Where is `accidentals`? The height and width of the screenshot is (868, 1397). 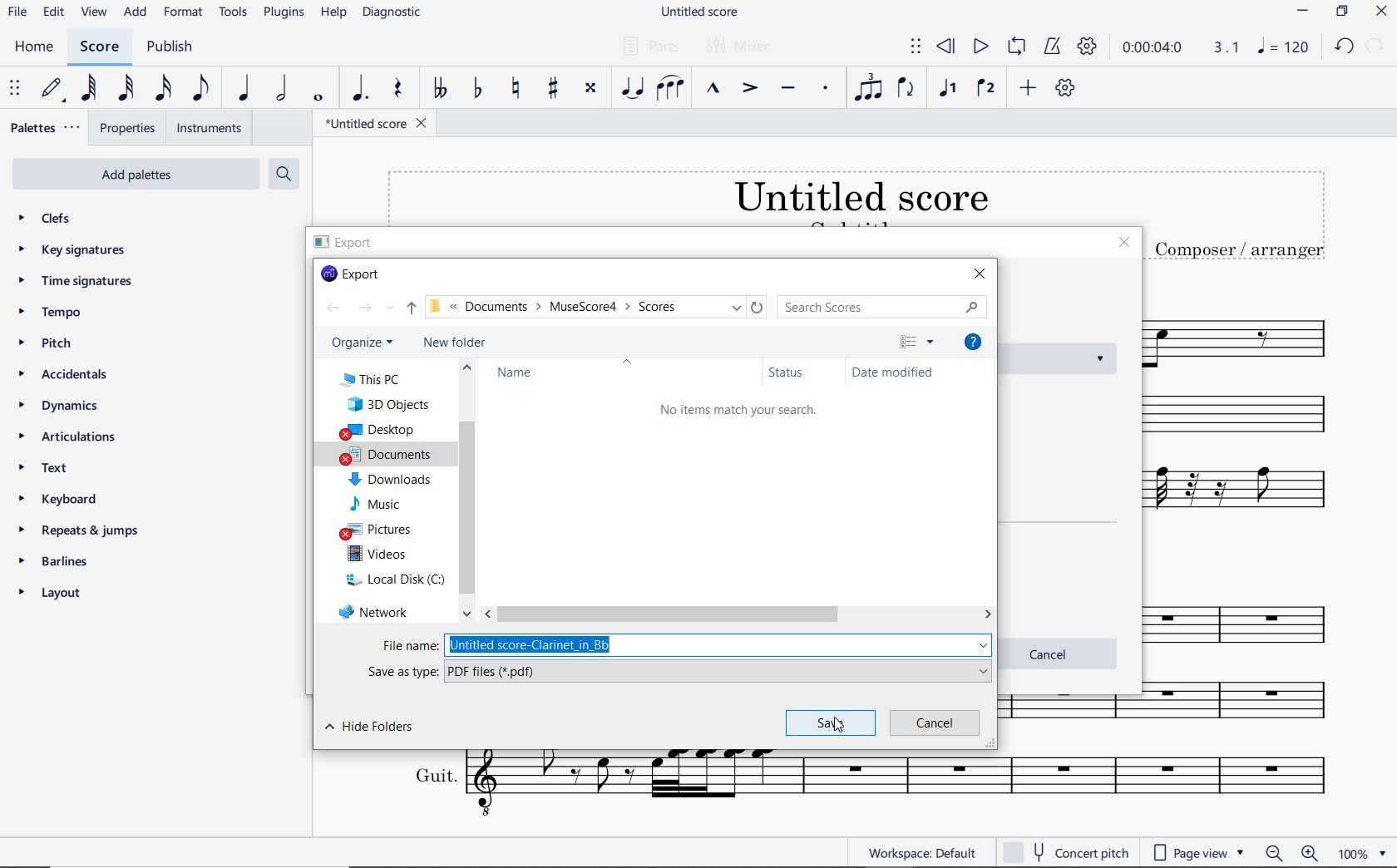 accidentals is located at coordinates (67, 377).